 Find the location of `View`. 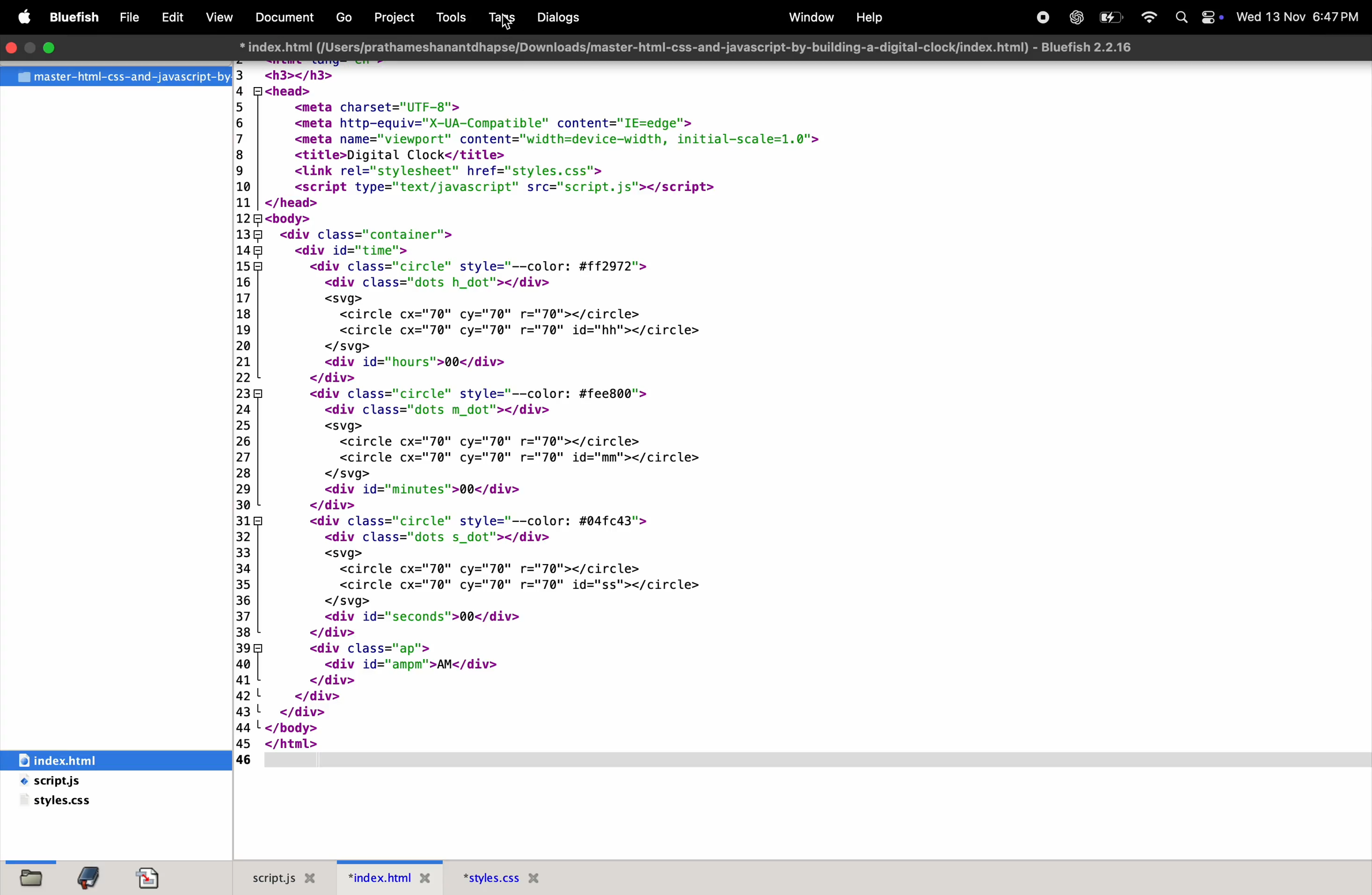

View is located at coordinates (220, 17).